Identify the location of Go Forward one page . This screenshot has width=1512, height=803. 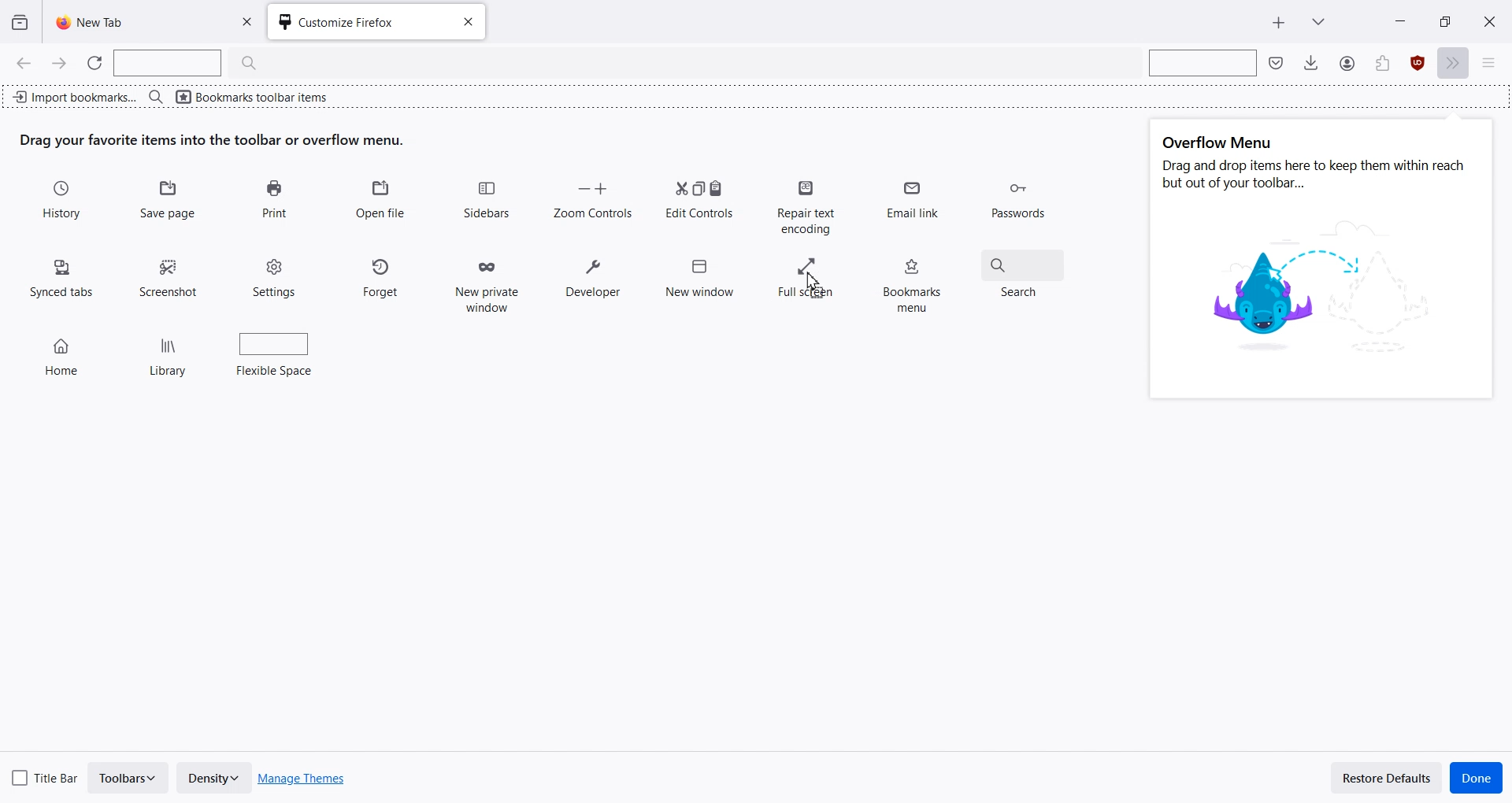
(61, 63).